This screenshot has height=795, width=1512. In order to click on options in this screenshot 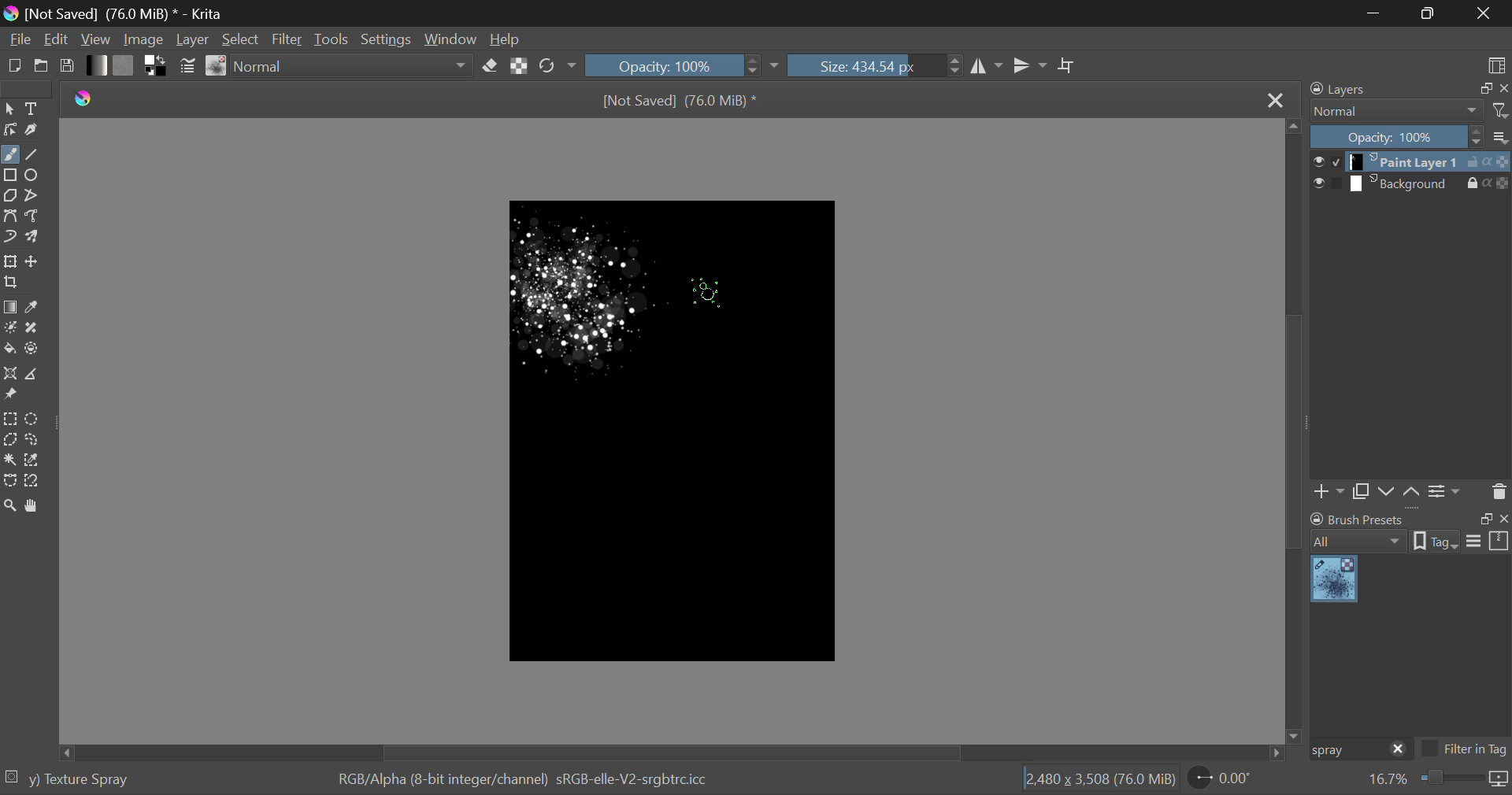, I will do `click(1488, 540)`.